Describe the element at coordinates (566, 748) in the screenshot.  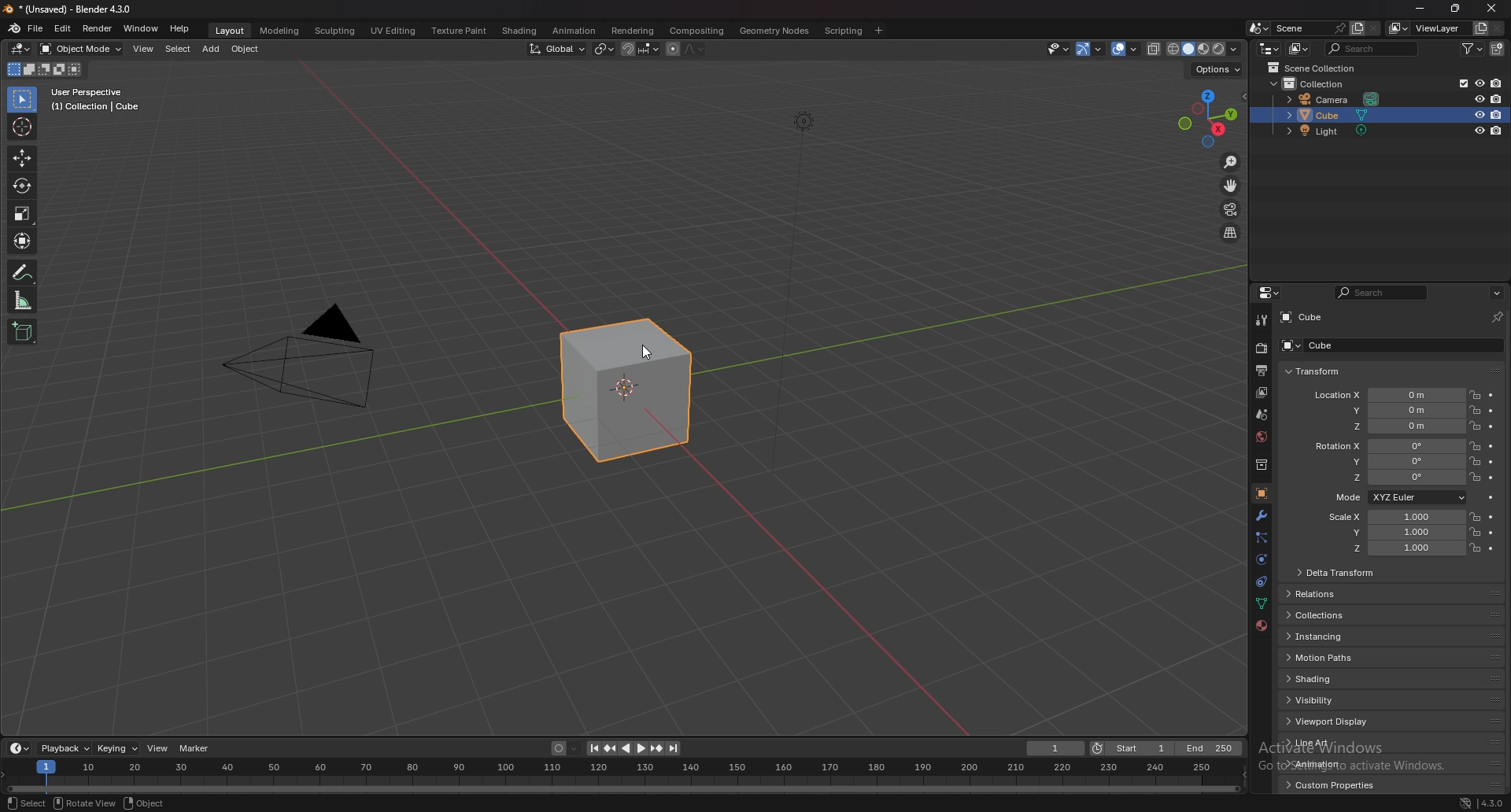
I see `auto keying` at that location.